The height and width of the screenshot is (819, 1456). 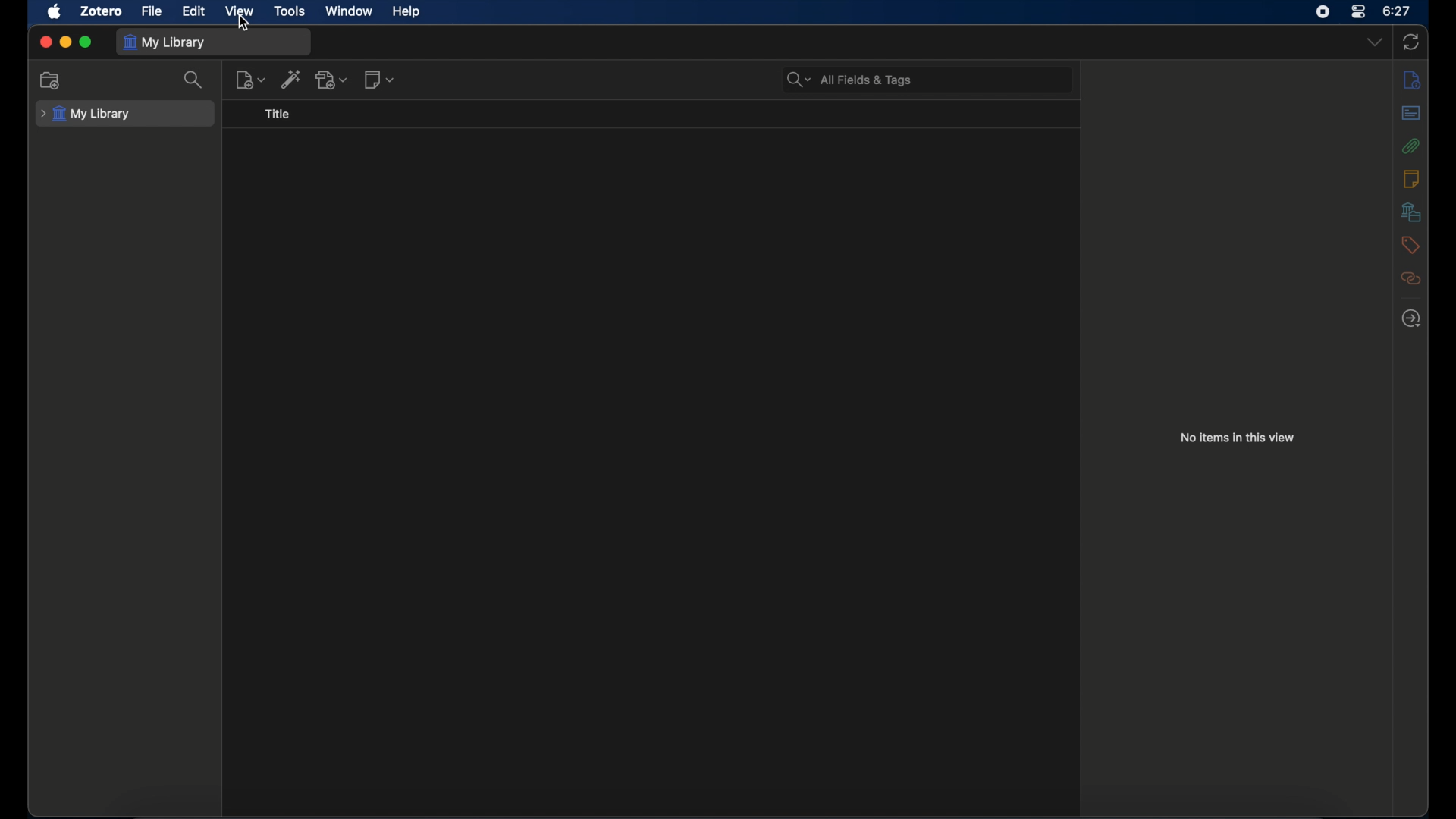 What do you see at coordinates (1375, 42) in the screenshot?
I see `dropdown` at bounding box center [1375, 42].